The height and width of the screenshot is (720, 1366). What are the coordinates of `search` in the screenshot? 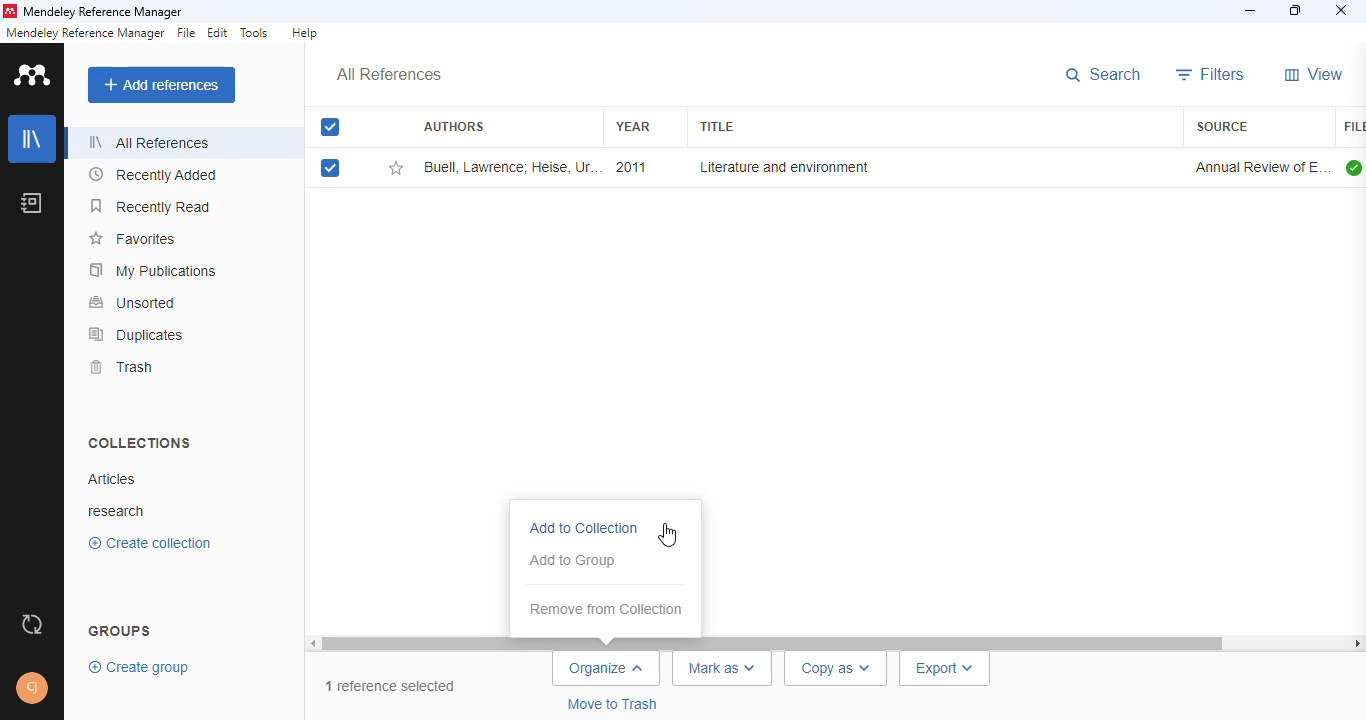 It's located at (1104, 75).